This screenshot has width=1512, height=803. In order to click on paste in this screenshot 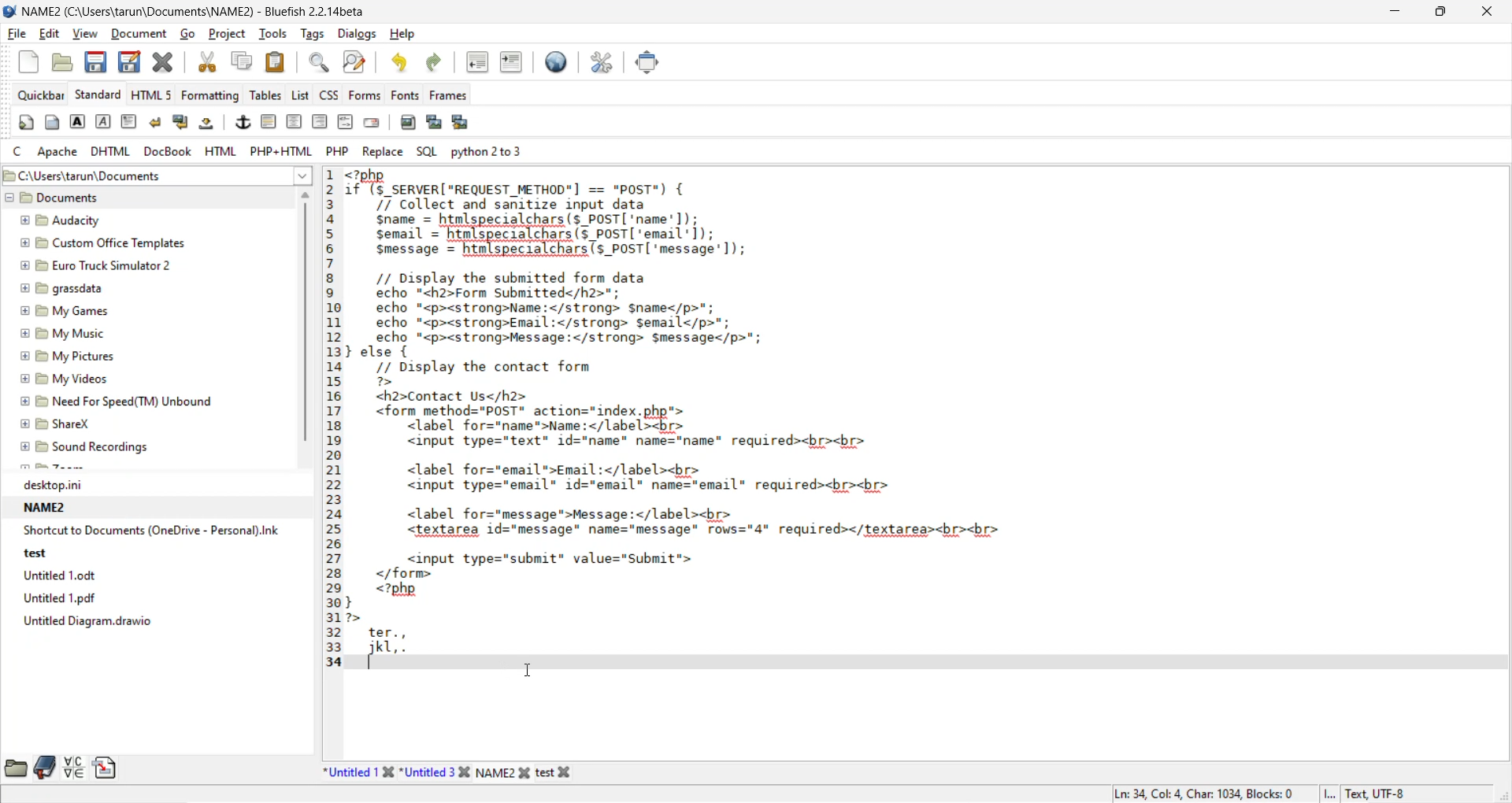, I will do `click(276, 61)`.